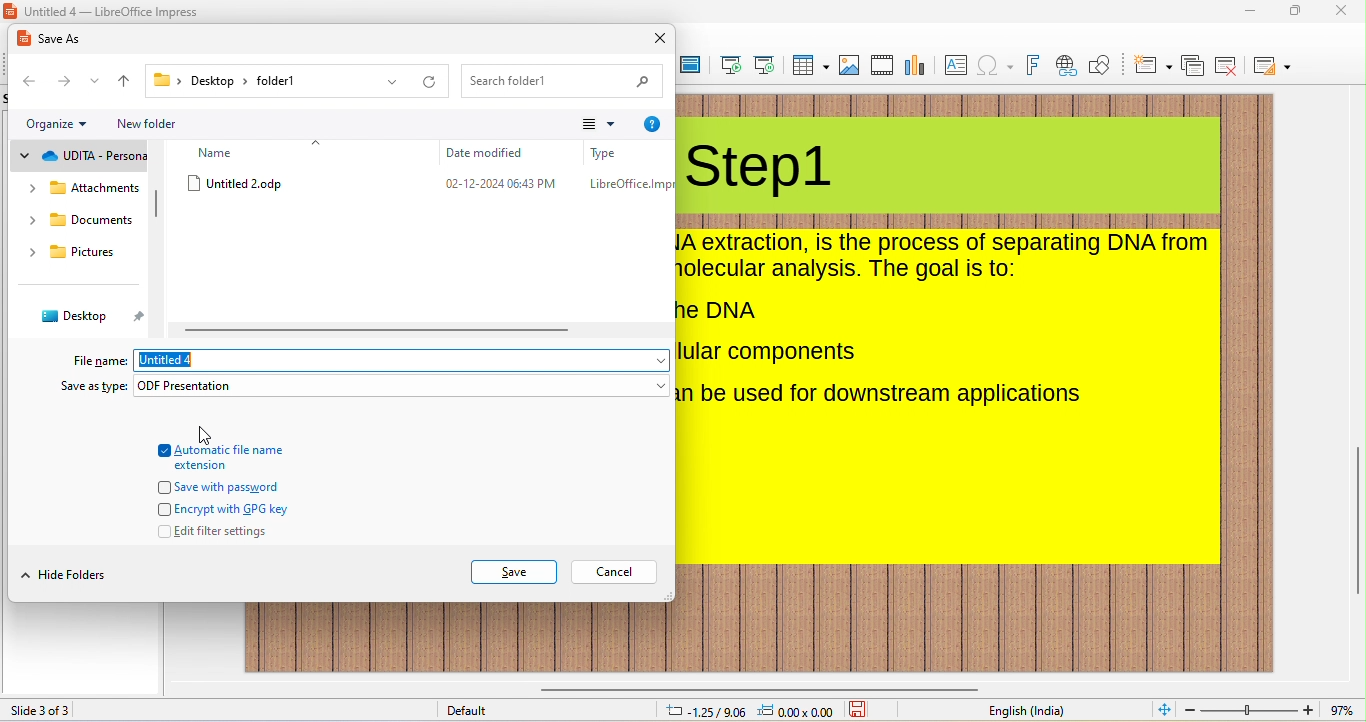 Image resolution: width=1366 pixels, height=722 pixels. Describe the element at coordinates (1193, 67) in the screenshot. I see `duplicate slide` at that location.